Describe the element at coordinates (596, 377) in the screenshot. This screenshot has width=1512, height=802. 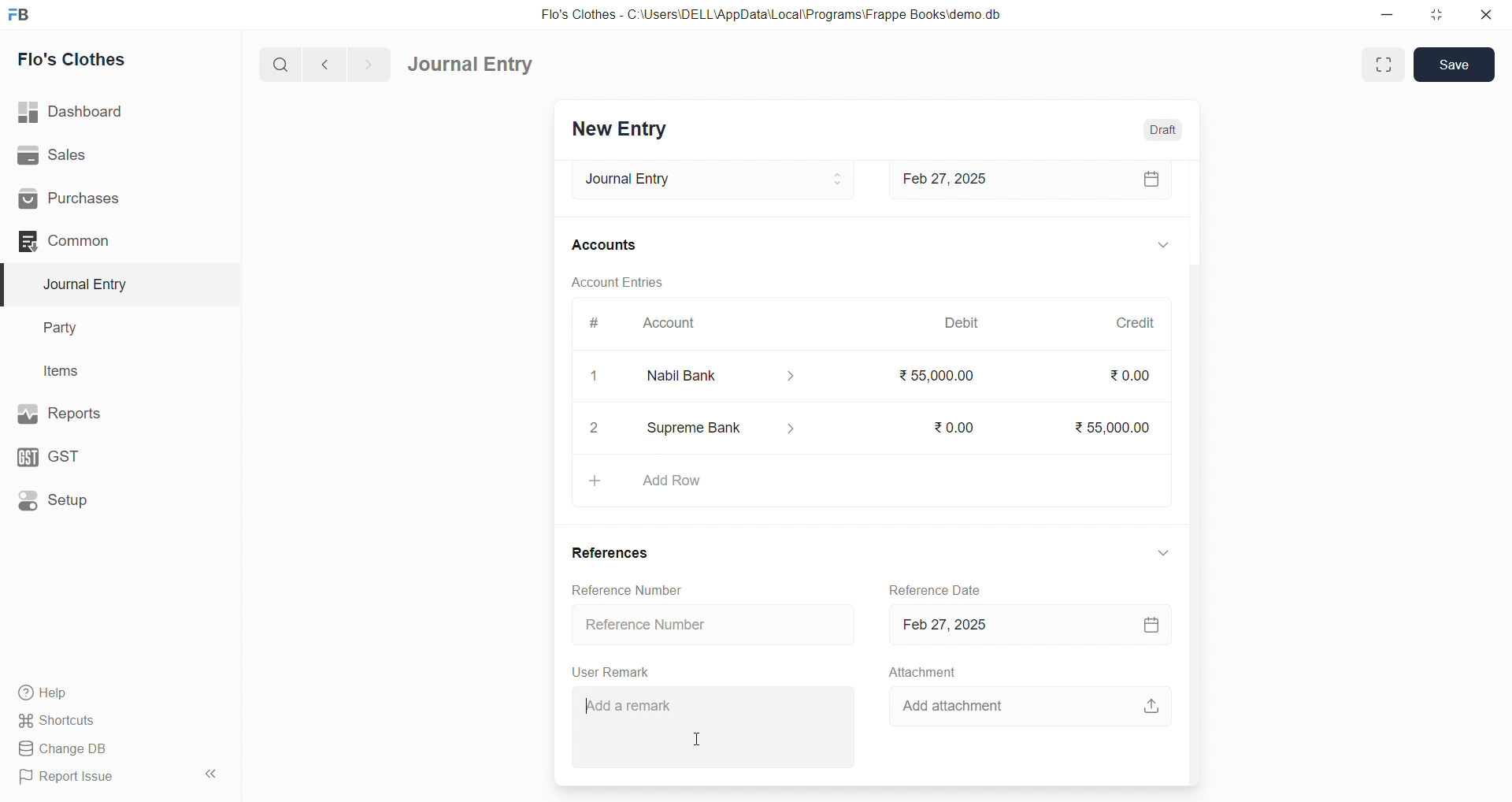
I see `1` at that location.